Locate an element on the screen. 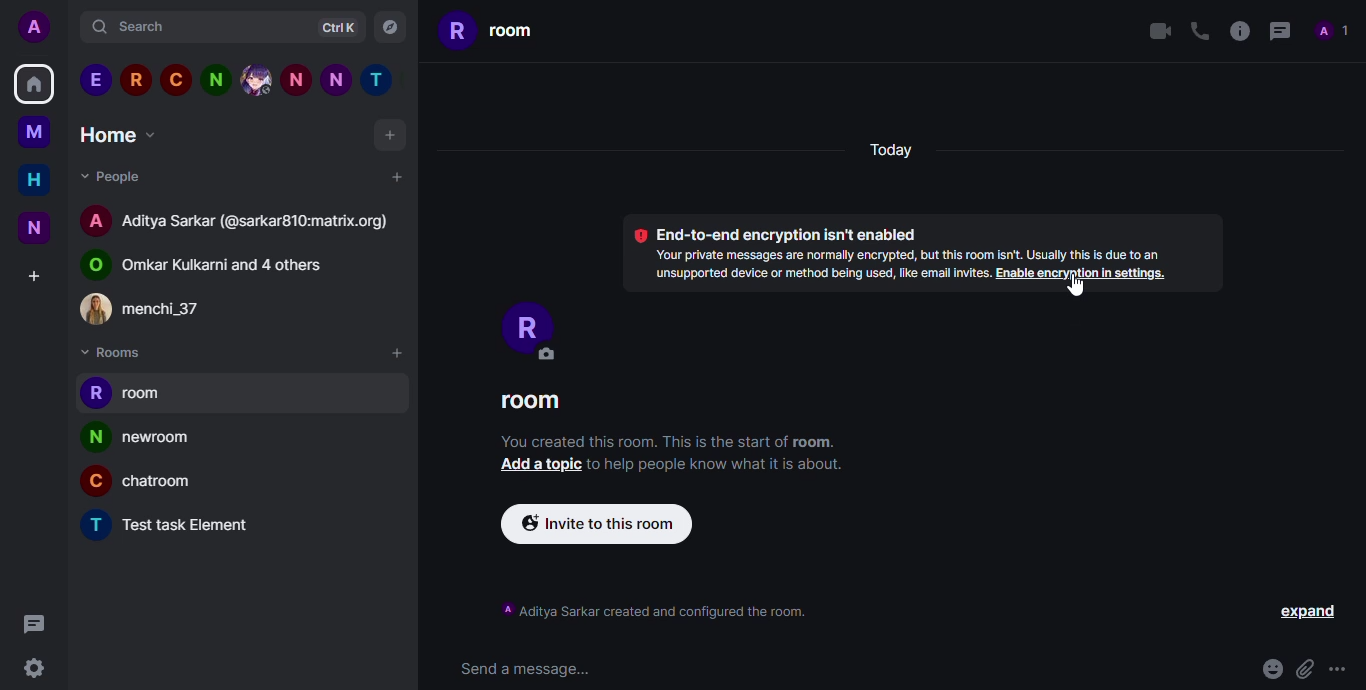 The height and width of the screenshot is (690, 1366). info- Aditya sarkar created and configured this room is located at coordinates (657, 609).